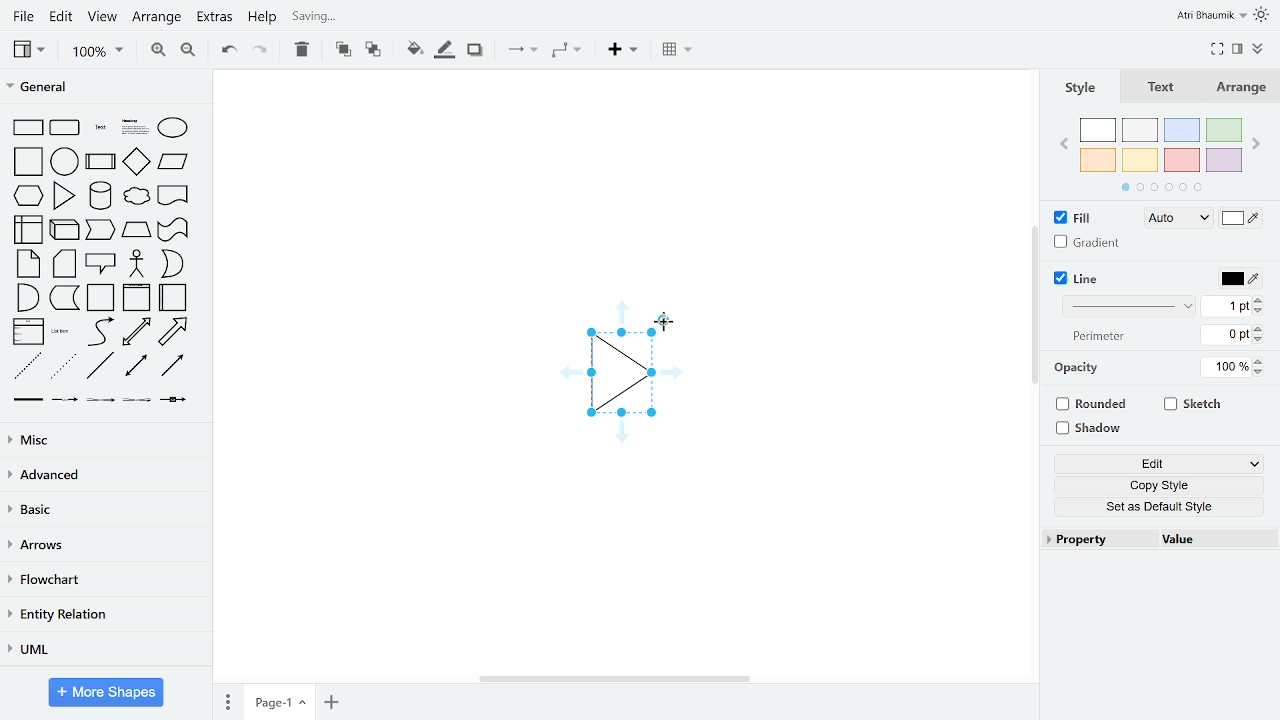  I want to click on misc, so click(102, 442).